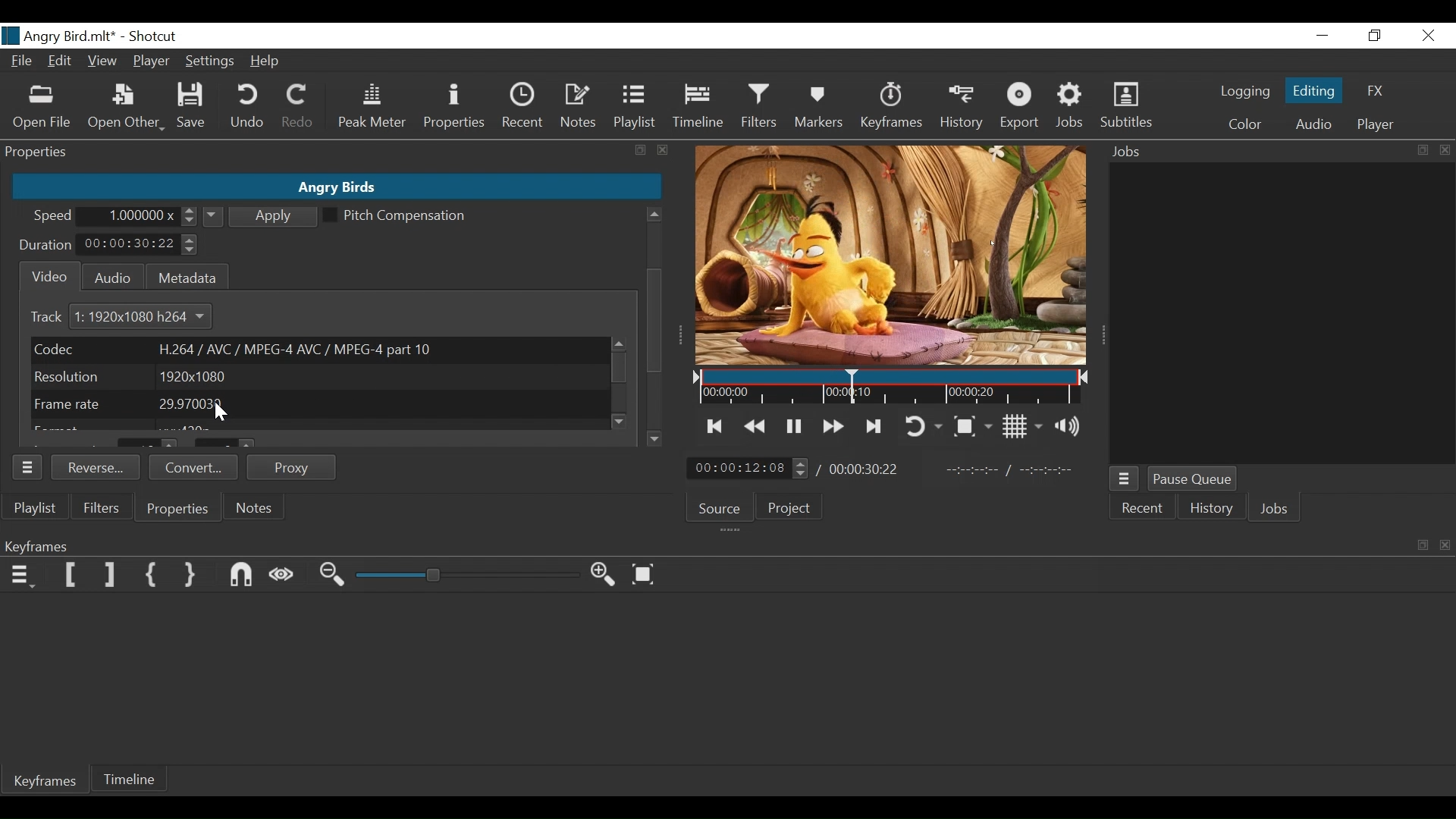 The image size is (1456, 819). What do you see at coordinates (54, 218) in the screenshot?
I see `Speed` at bounding box center [54, 218].